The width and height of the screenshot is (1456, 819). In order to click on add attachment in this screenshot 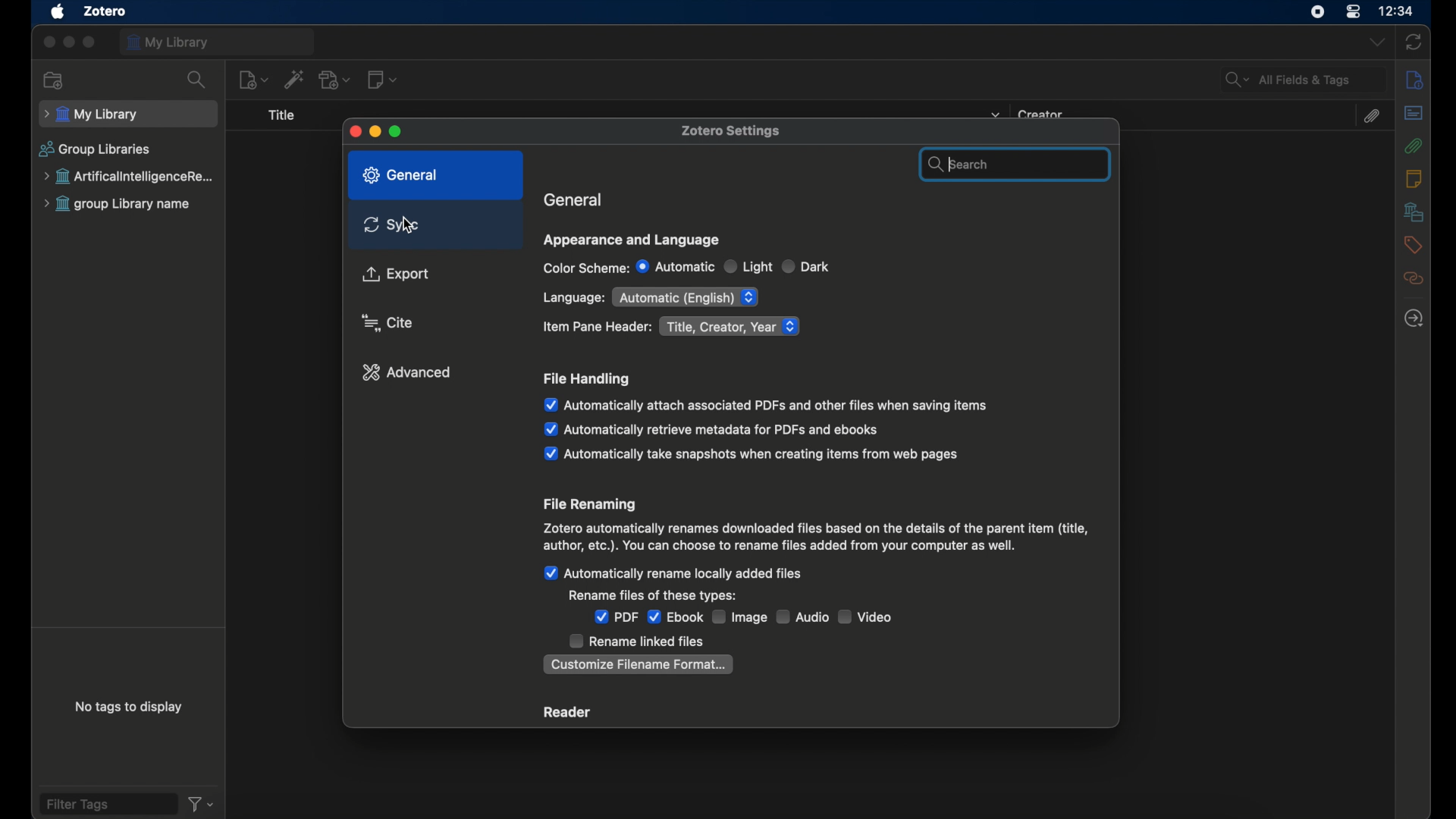, I will do `click(336, 80)`.